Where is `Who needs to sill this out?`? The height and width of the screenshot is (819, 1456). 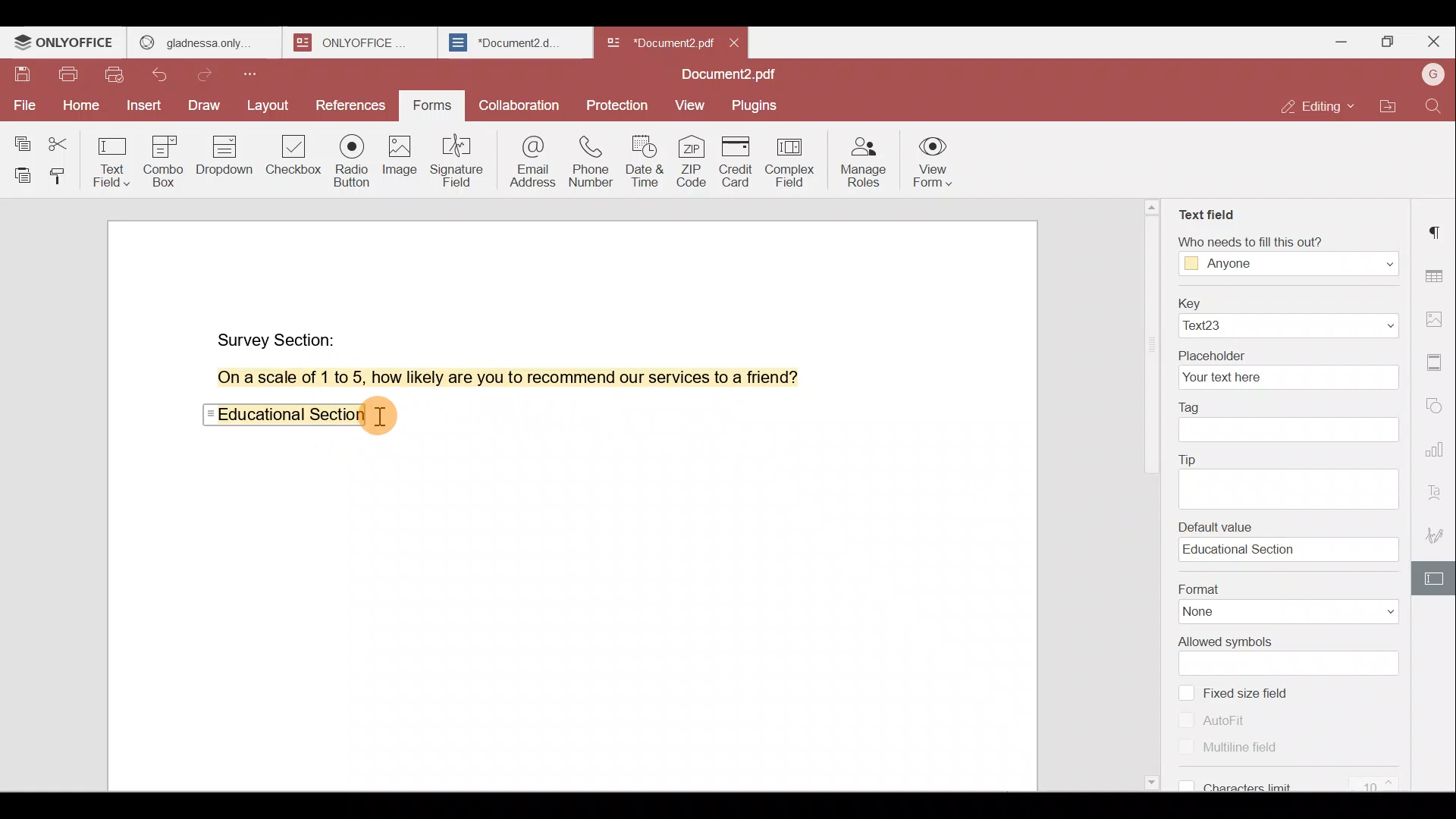 Who needs to sill this out? is located at coordinates (1288, 255).